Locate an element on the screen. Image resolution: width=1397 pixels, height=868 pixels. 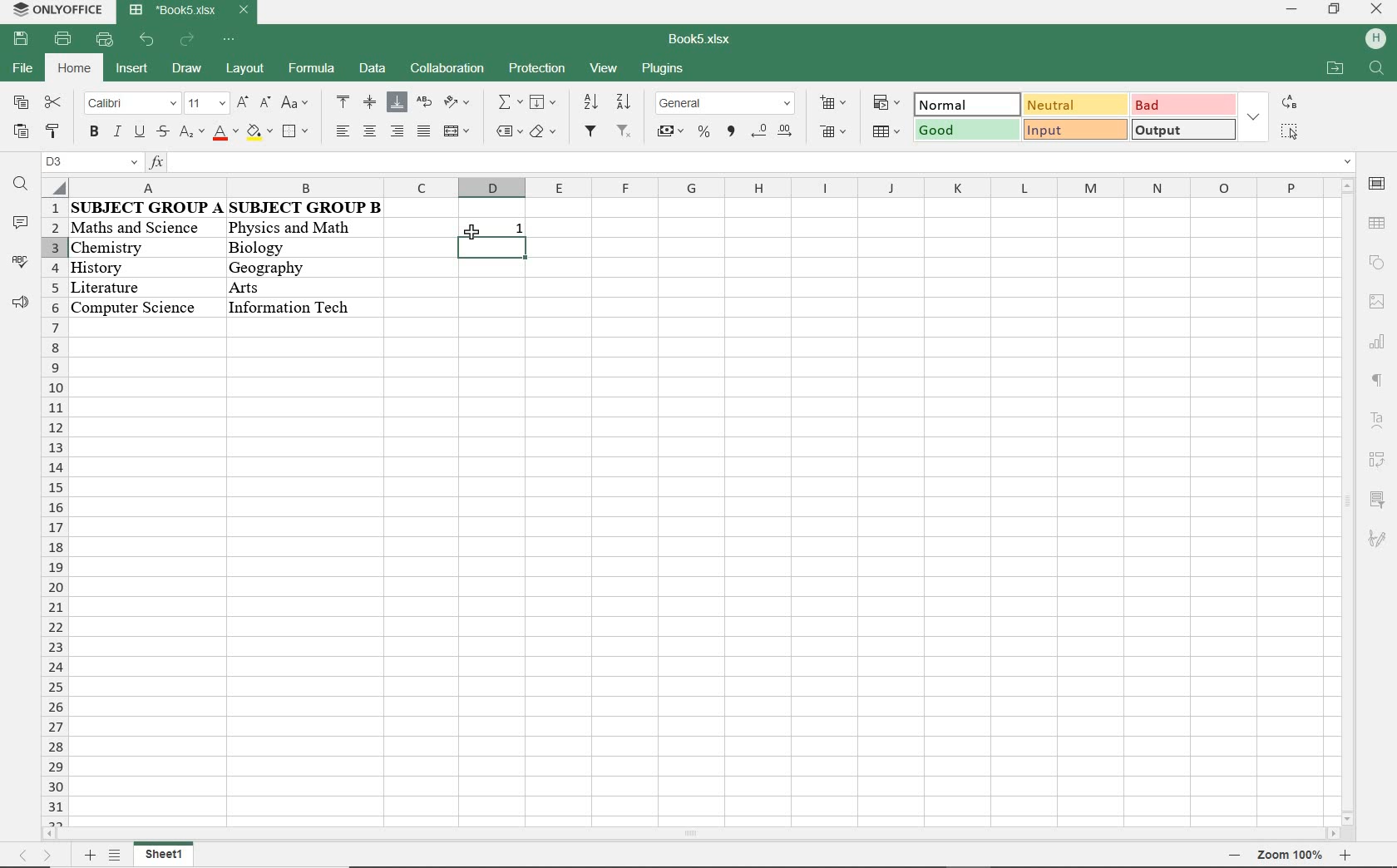
clear is located at coordinates (545, 133).